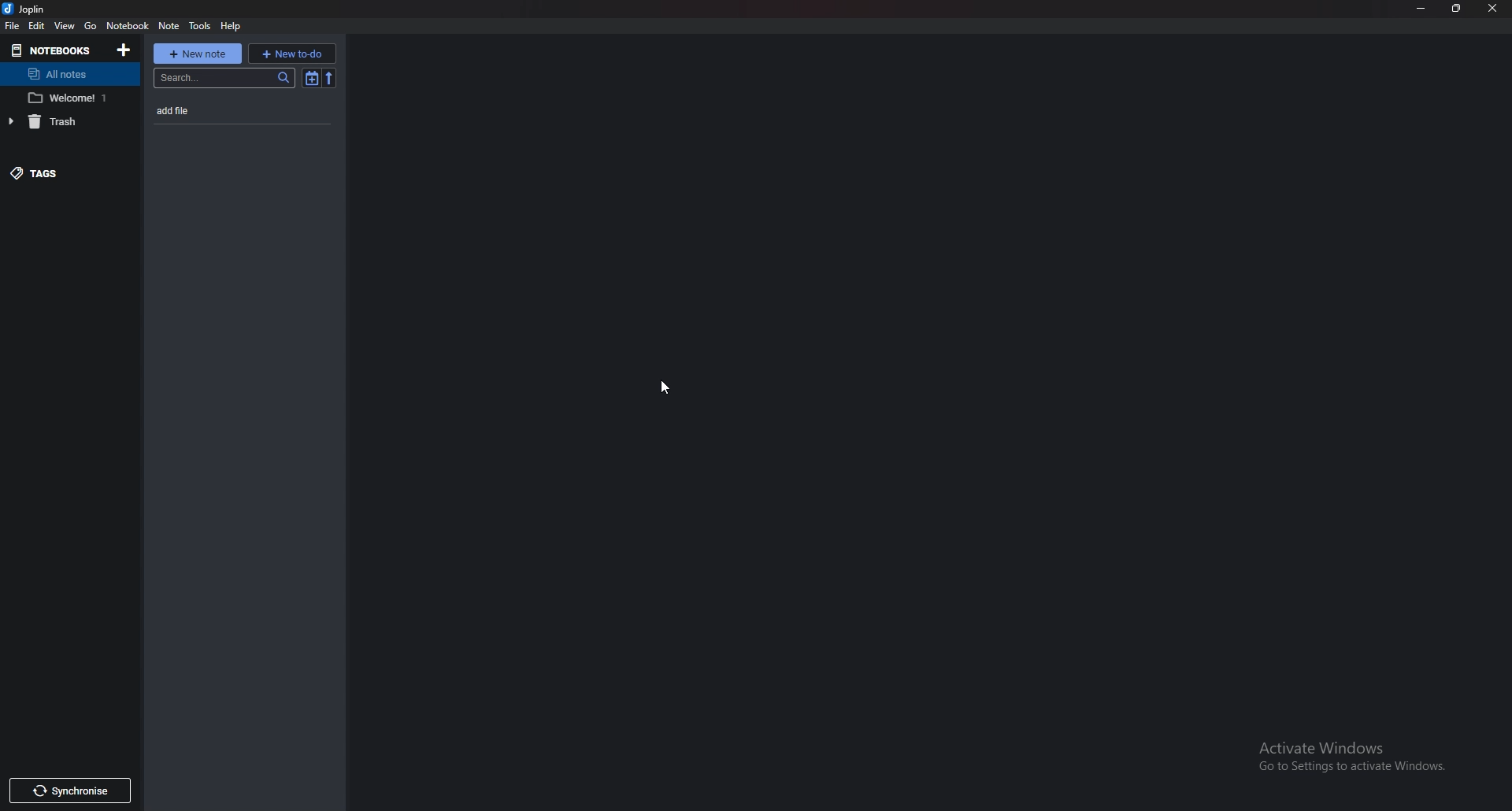 This screenshot has width=1512, height=811. Describe the element at coordinates (61, 122) in the screenshot. I see `trash` at that location.